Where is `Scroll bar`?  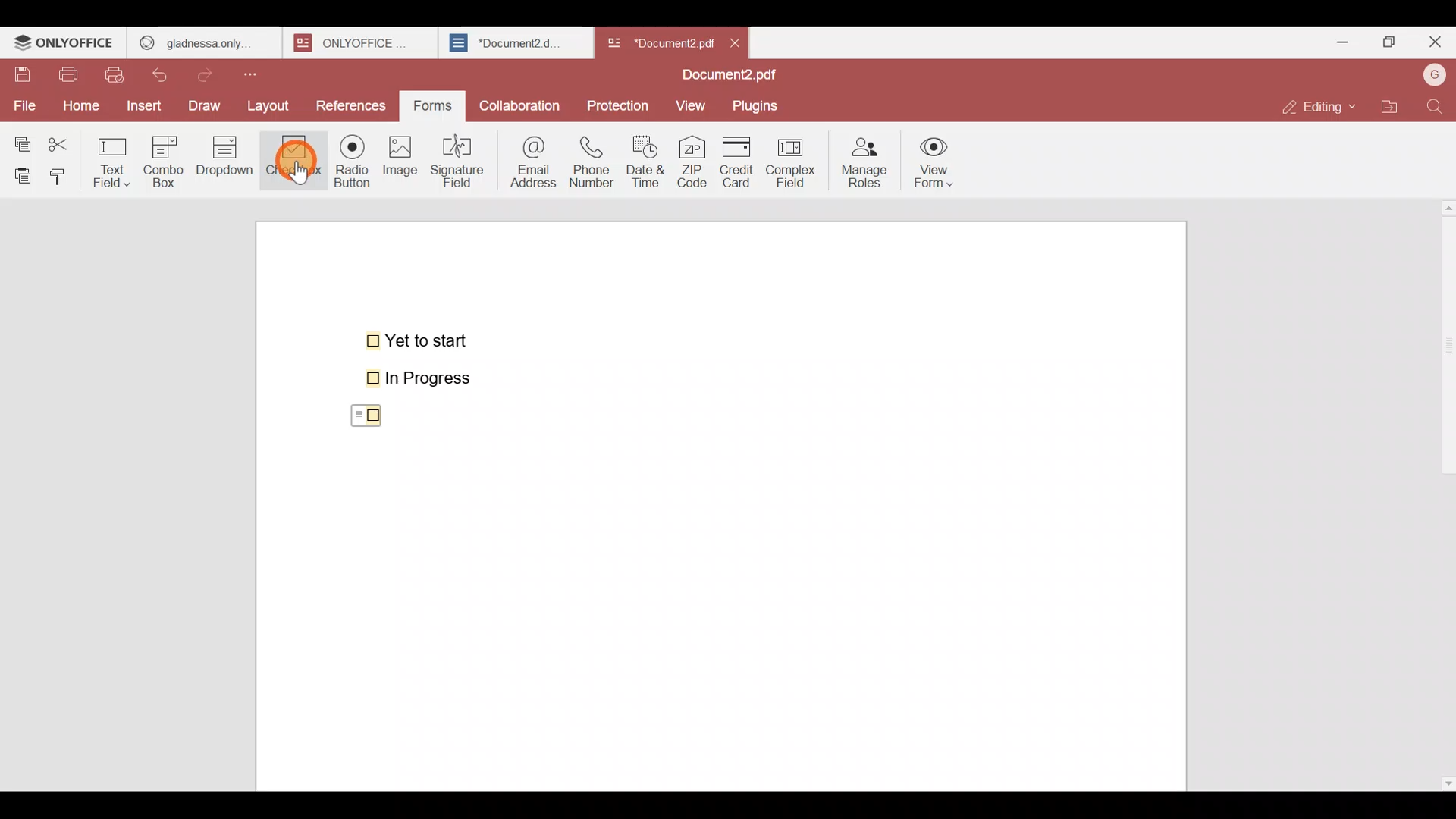
Scroll bar is located at coordinates (1443, 491).